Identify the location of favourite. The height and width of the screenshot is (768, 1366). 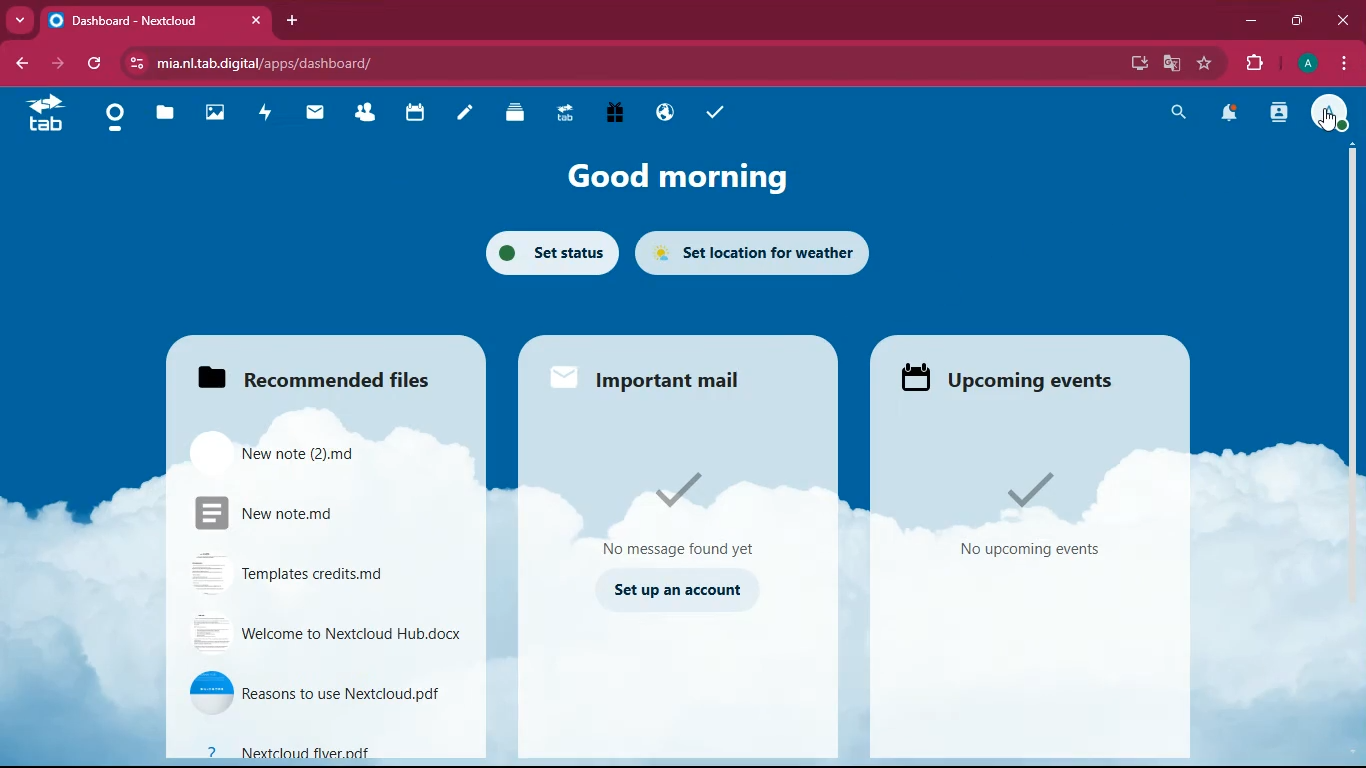
(1201, 64).